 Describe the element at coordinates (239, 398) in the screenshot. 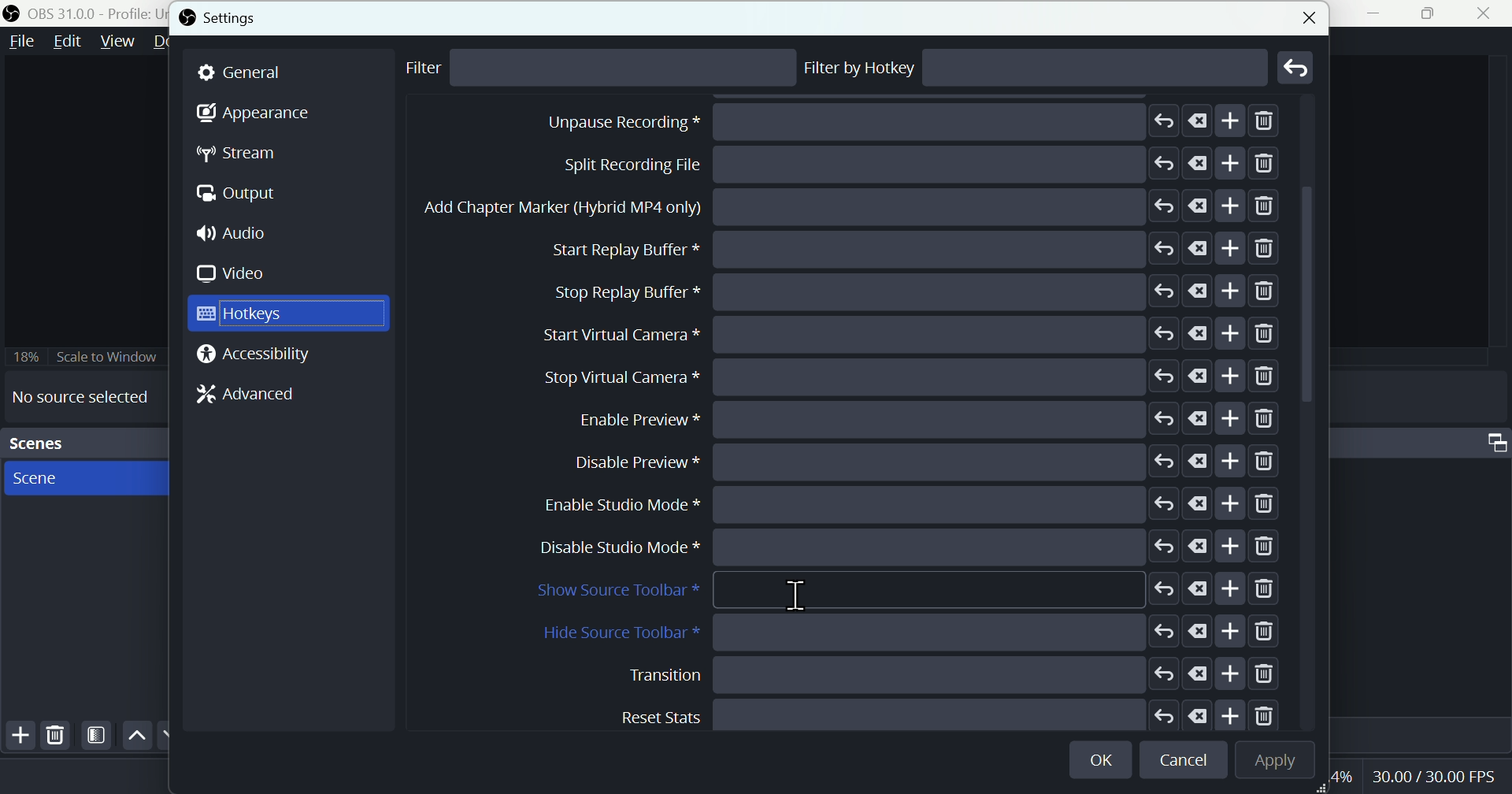

I see `Advanced` at that location.